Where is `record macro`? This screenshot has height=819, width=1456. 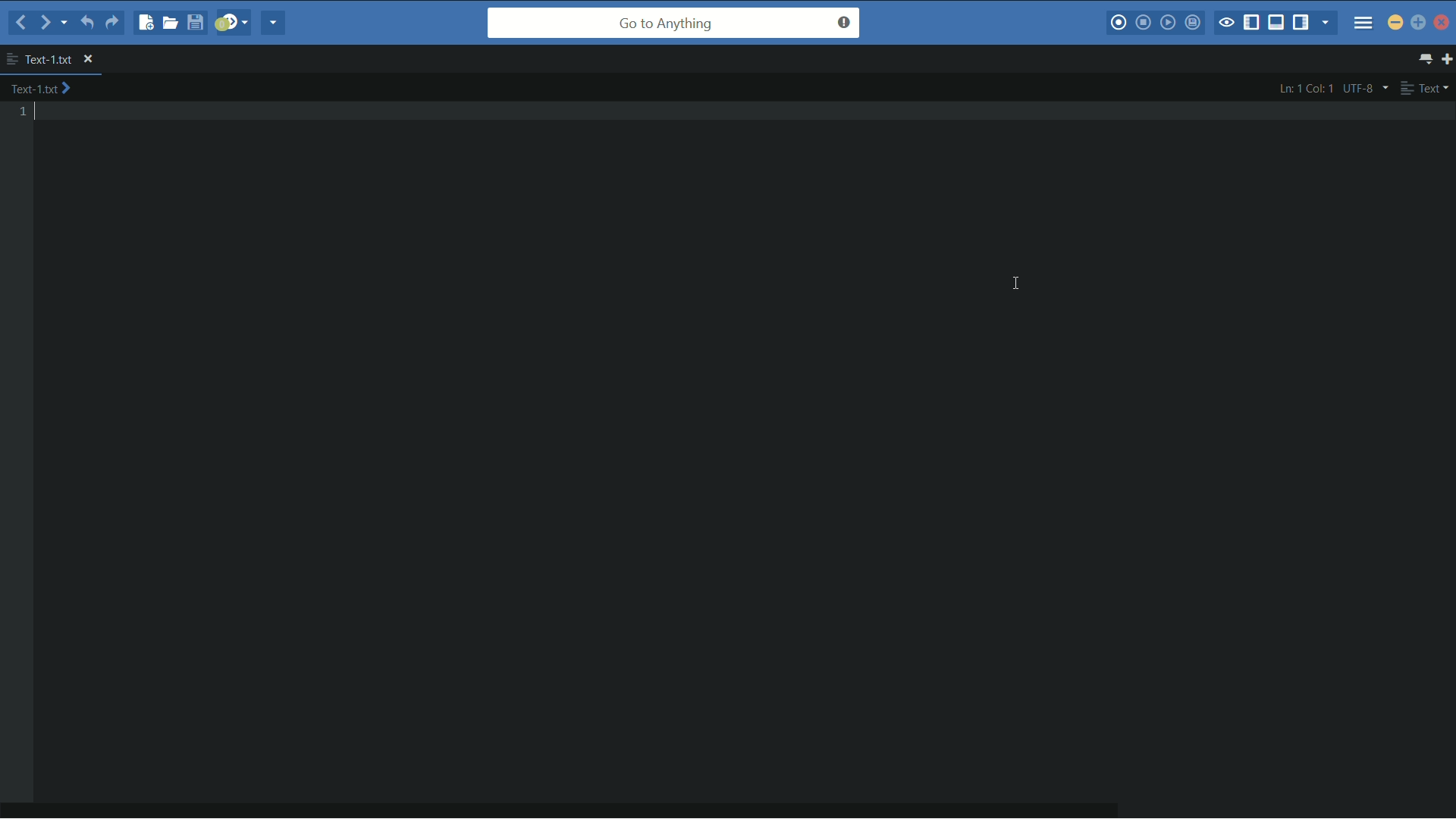 record macro is located at coordinates (1118, 24).